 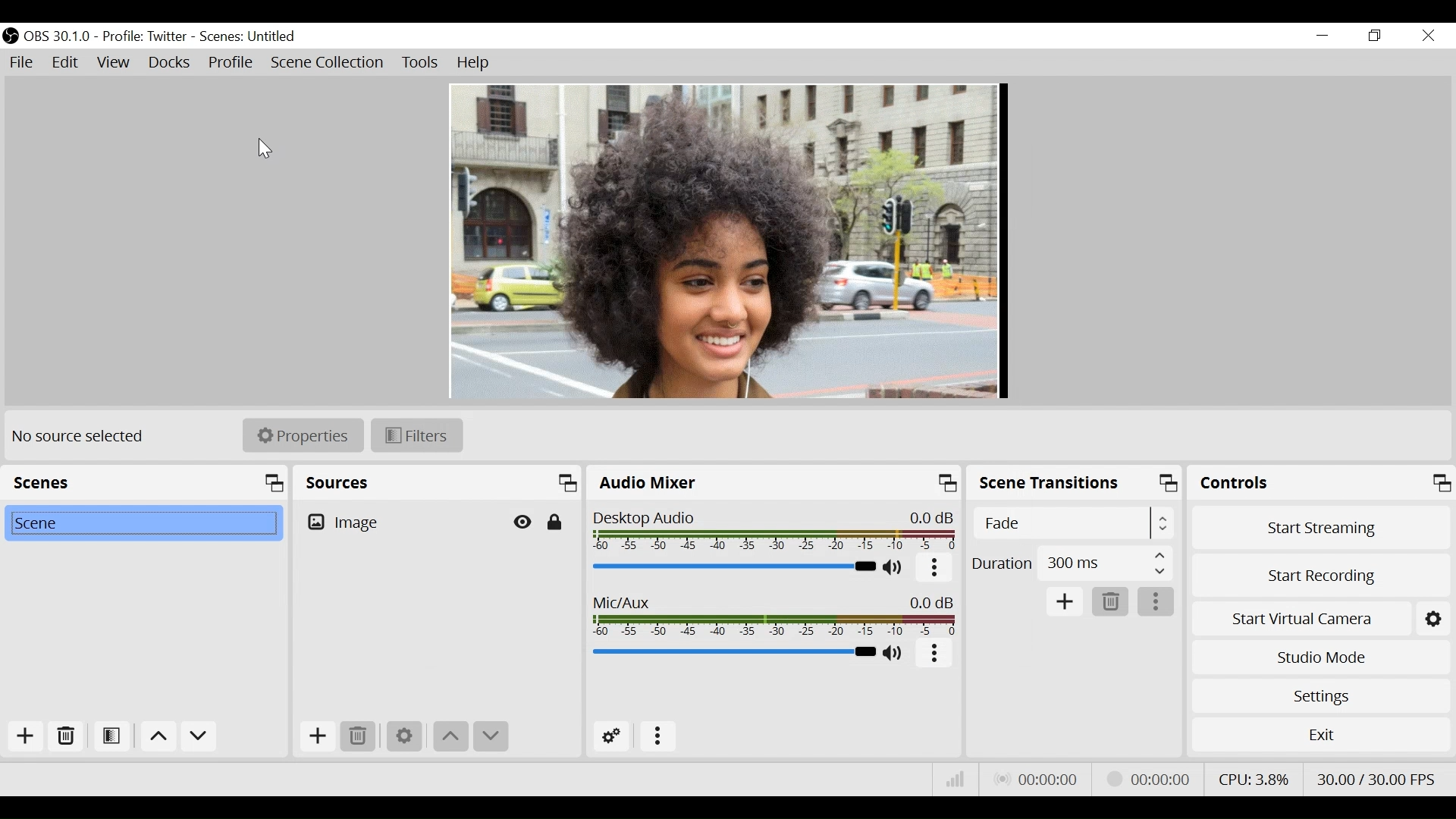 I want to click on Exit, so click(x=1319, y=734).